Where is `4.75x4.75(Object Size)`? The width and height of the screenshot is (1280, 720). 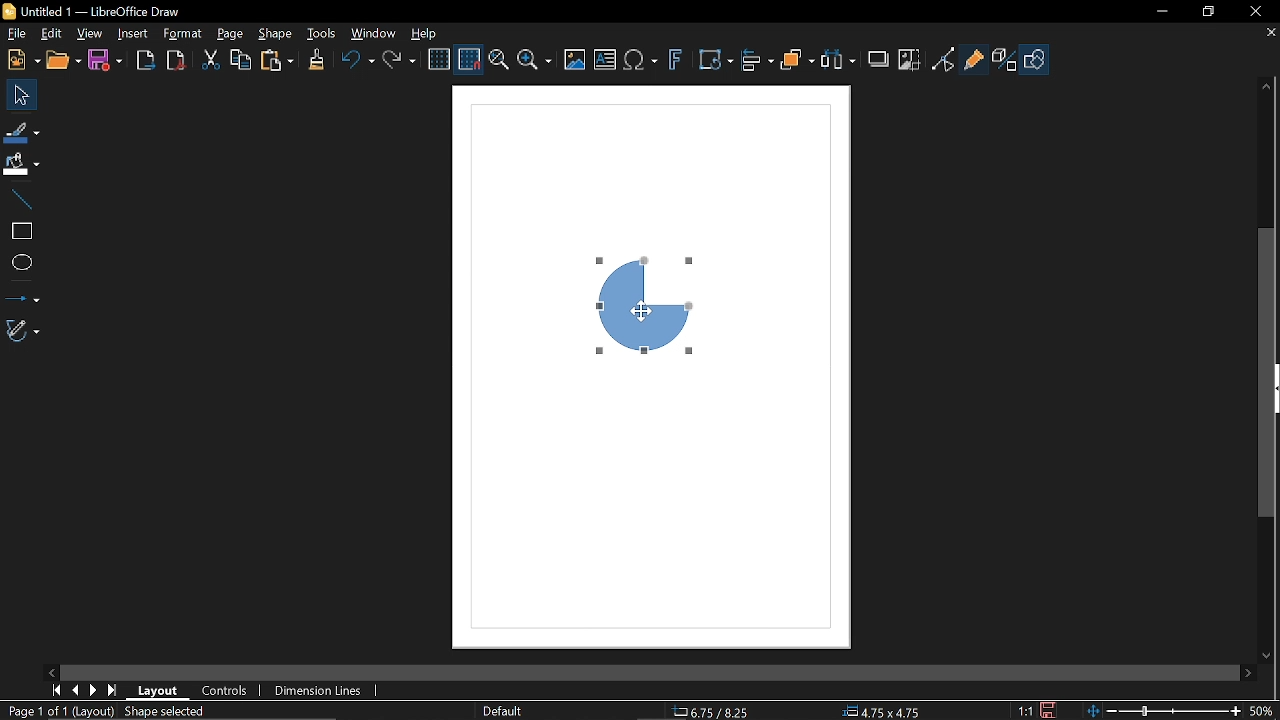 4.75x4.75(Object Size) is located at coordinates (885, 710).